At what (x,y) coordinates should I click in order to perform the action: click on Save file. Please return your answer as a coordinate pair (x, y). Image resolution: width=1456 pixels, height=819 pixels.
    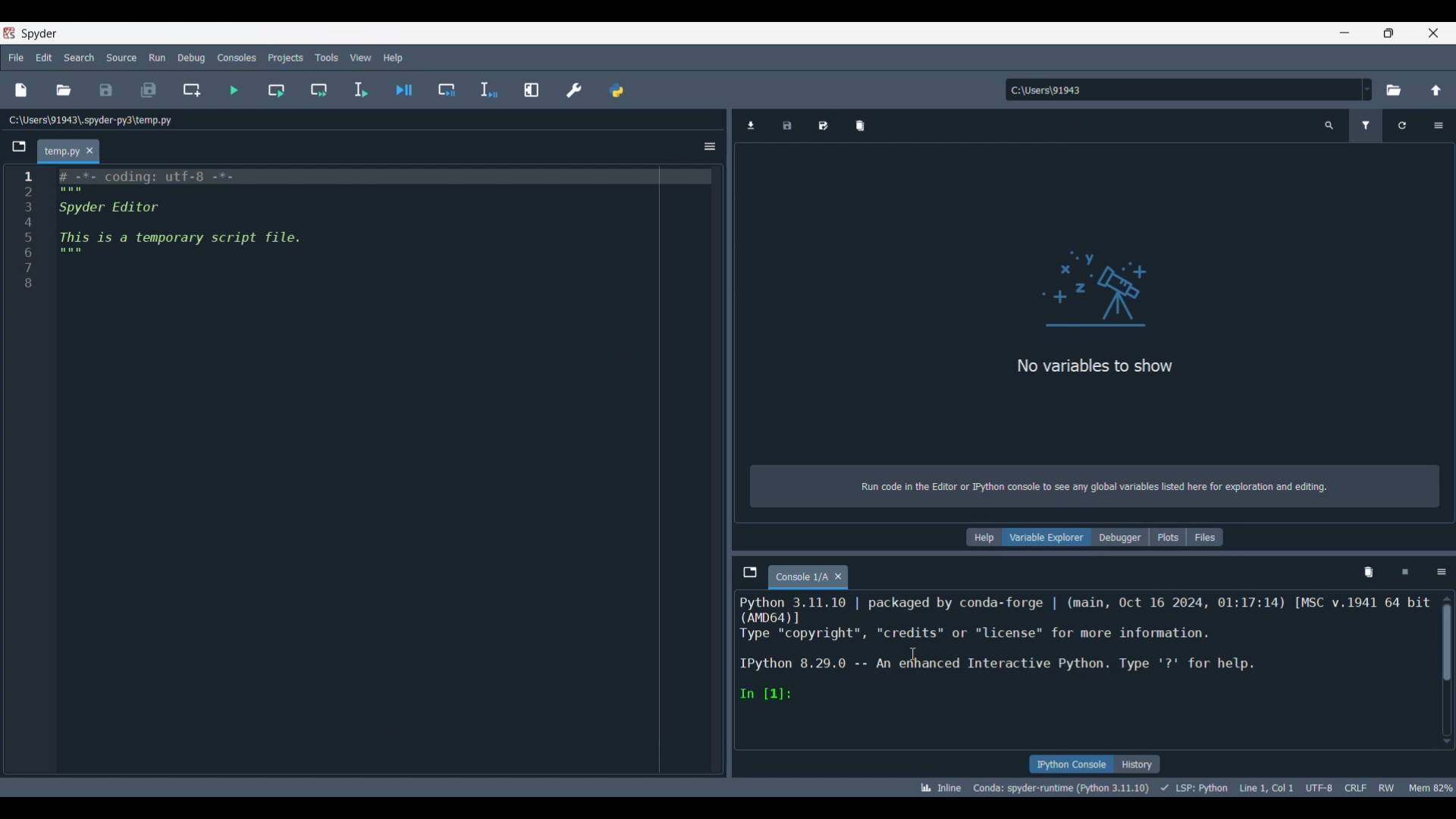
    Looking at the image, I should click on (106, 90).